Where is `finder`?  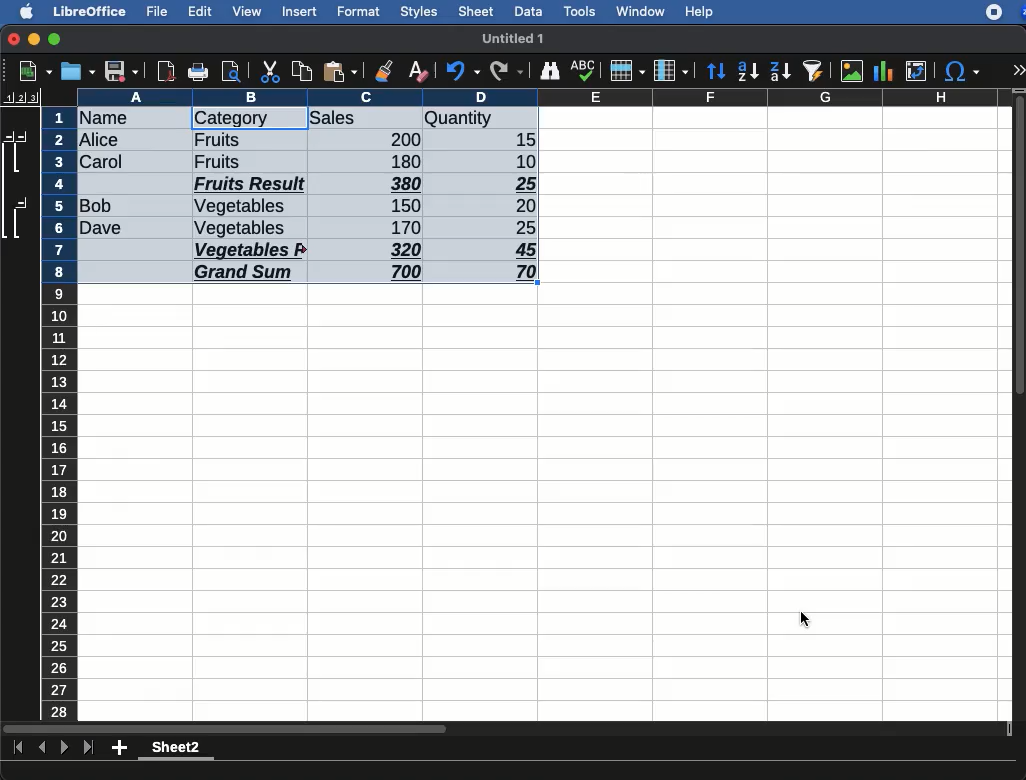
finder is located at coordinates (549, 71).